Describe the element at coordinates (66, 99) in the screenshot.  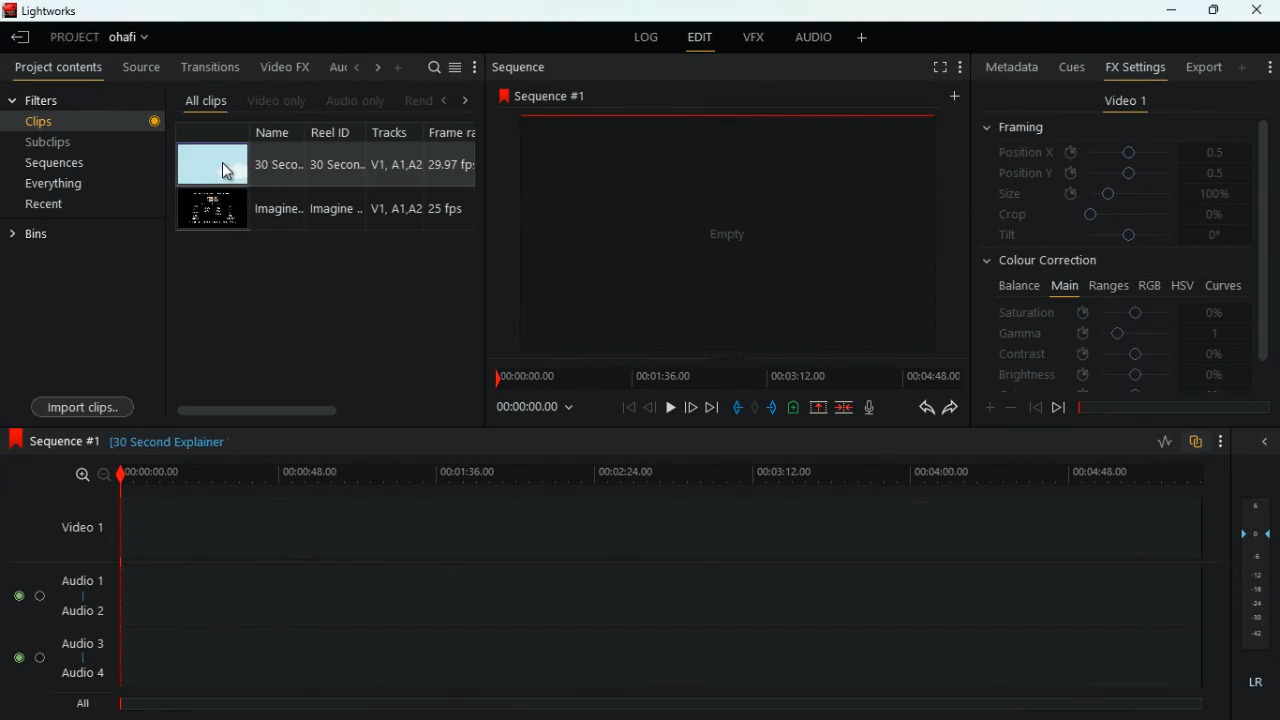
I see `filters` at that location.